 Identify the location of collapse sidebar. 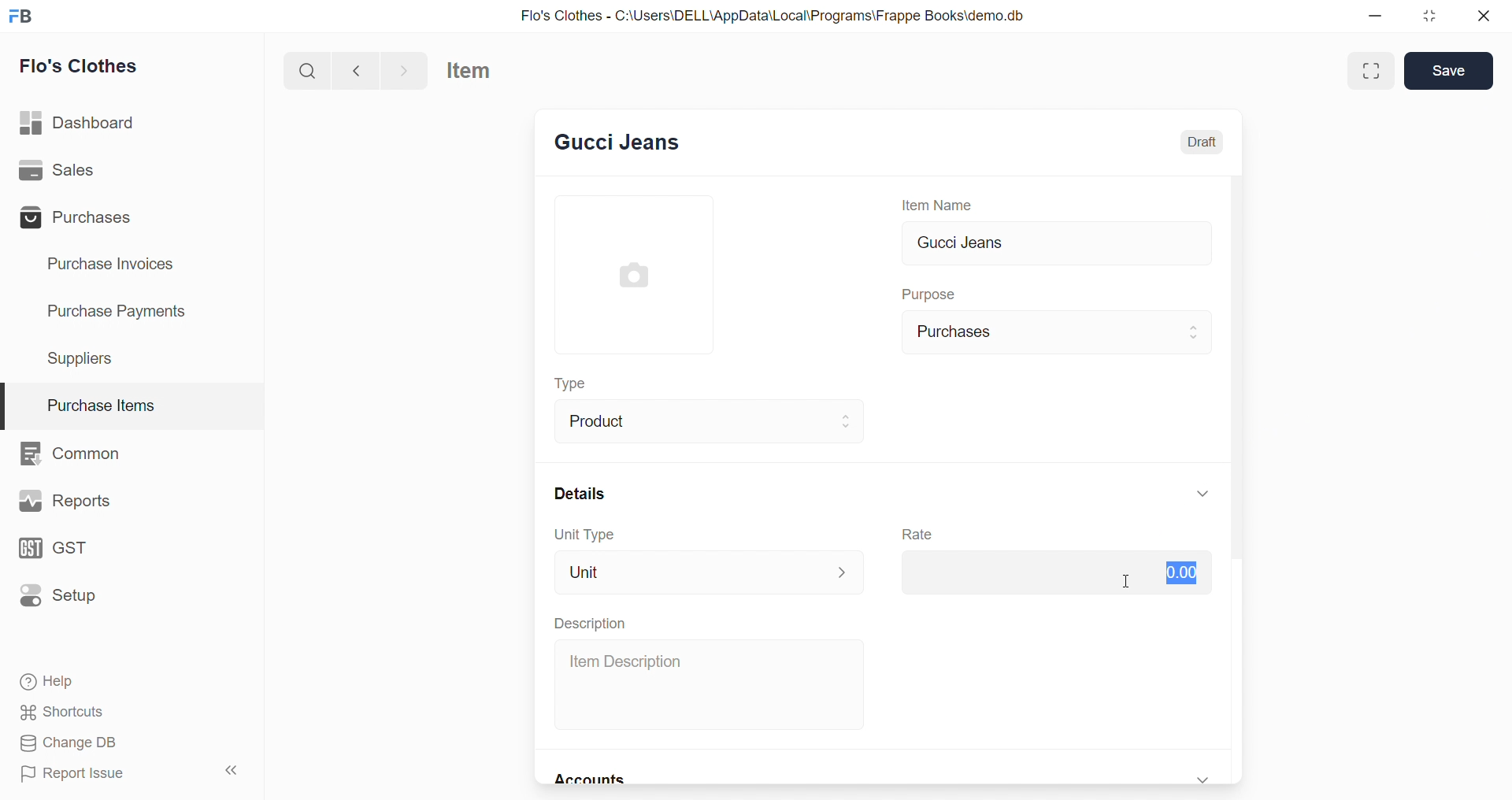
(238, 772).